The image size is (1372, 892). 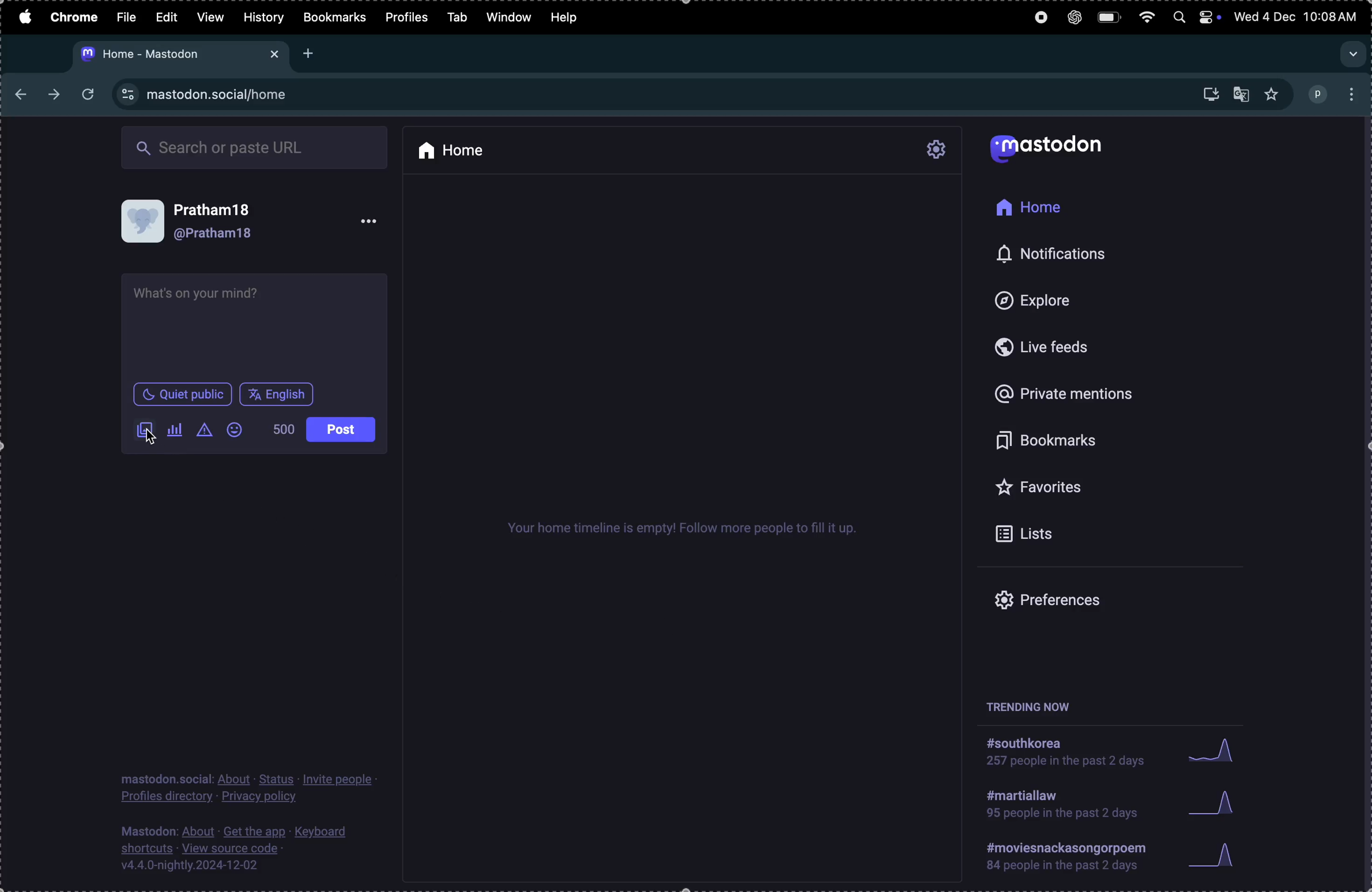 I want to click on Tab, so click(x=457, y=16).